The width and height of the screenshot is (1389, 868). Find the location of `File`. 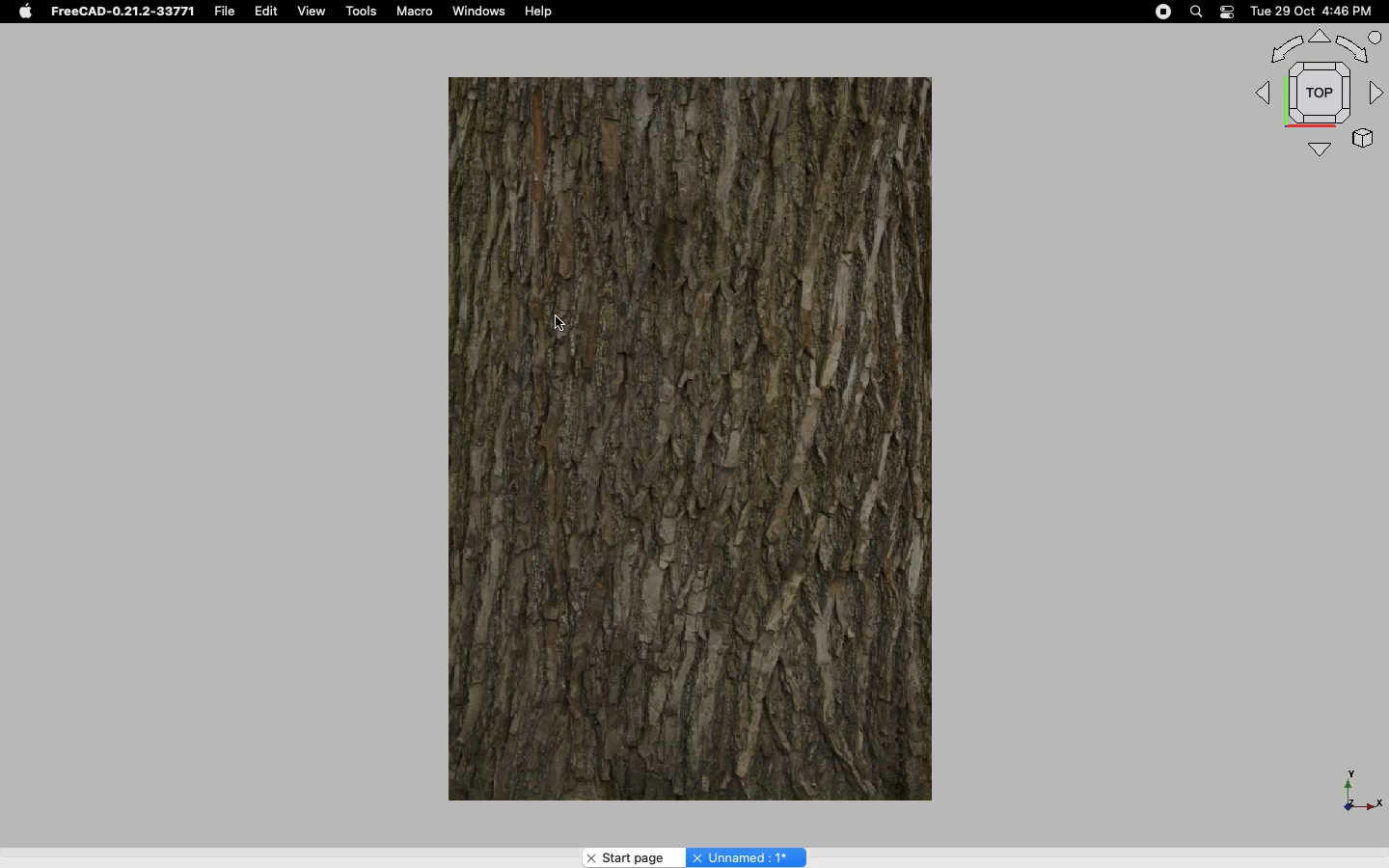

File is located at coordinates (225, 12).